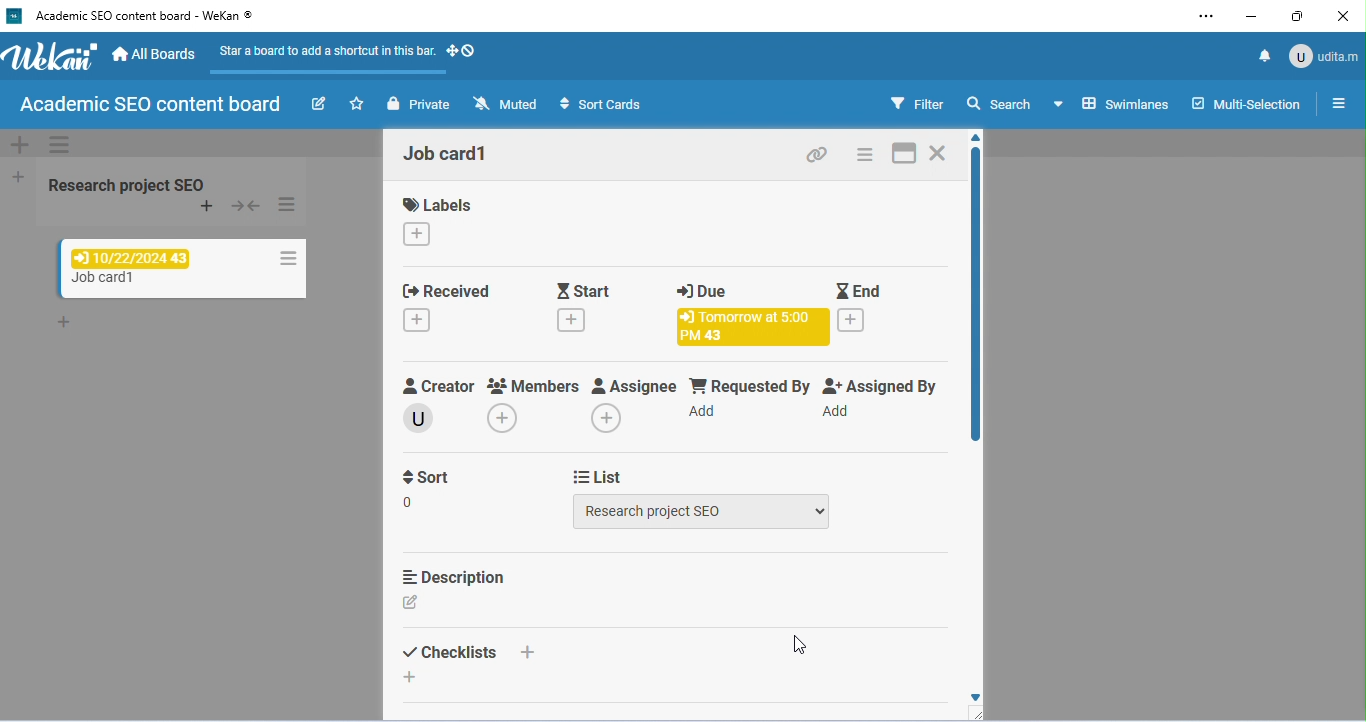 Image resolution: width=1366 pixels, height=722 pixels. Describe the element at coordinates (598, 475) in the screenshot. I see `list` at that location.